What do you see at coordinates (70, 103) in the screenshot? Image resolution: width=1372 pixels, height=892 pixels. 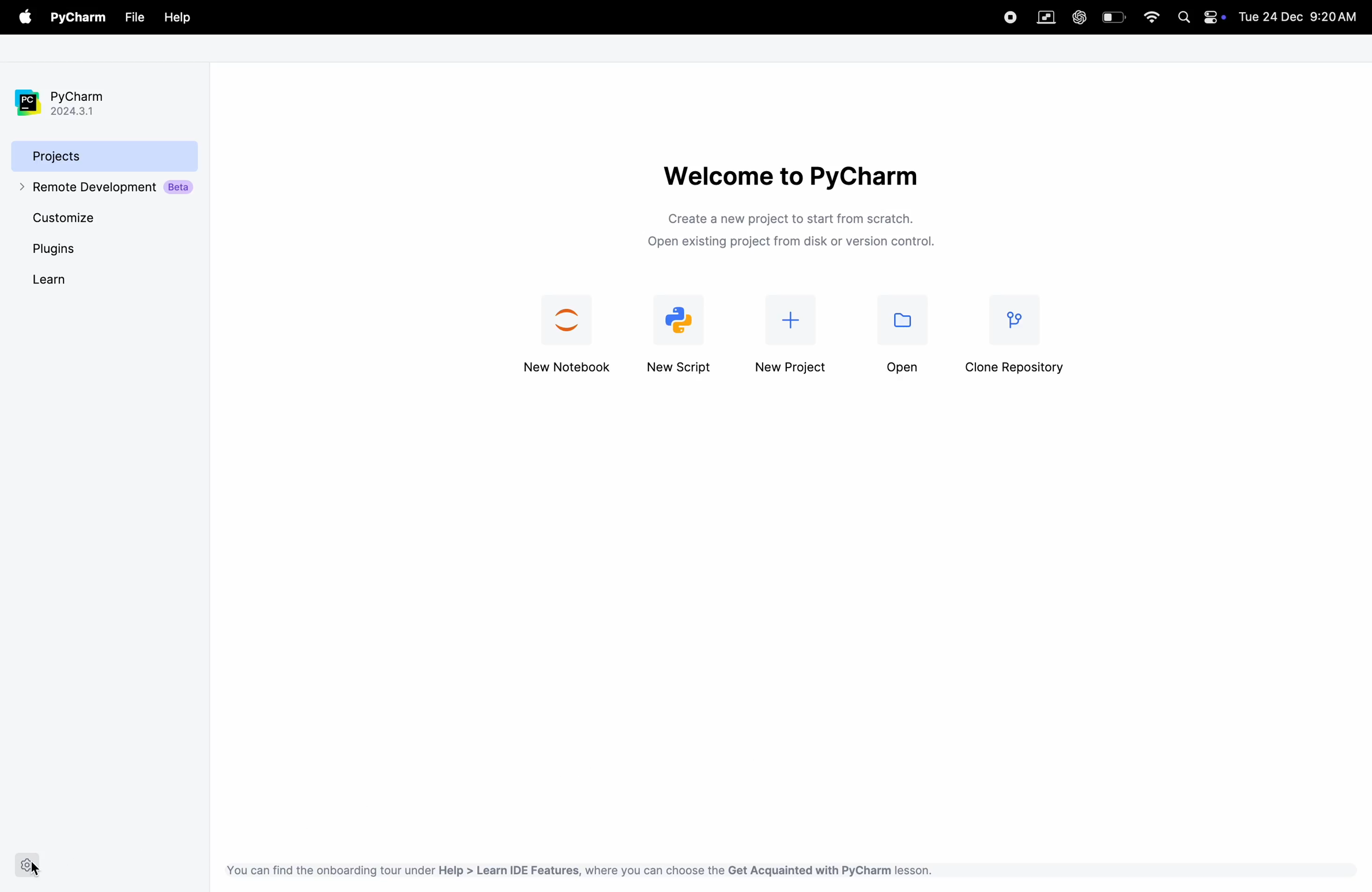 I see `pycharm version` at bounding box center [70, 103].